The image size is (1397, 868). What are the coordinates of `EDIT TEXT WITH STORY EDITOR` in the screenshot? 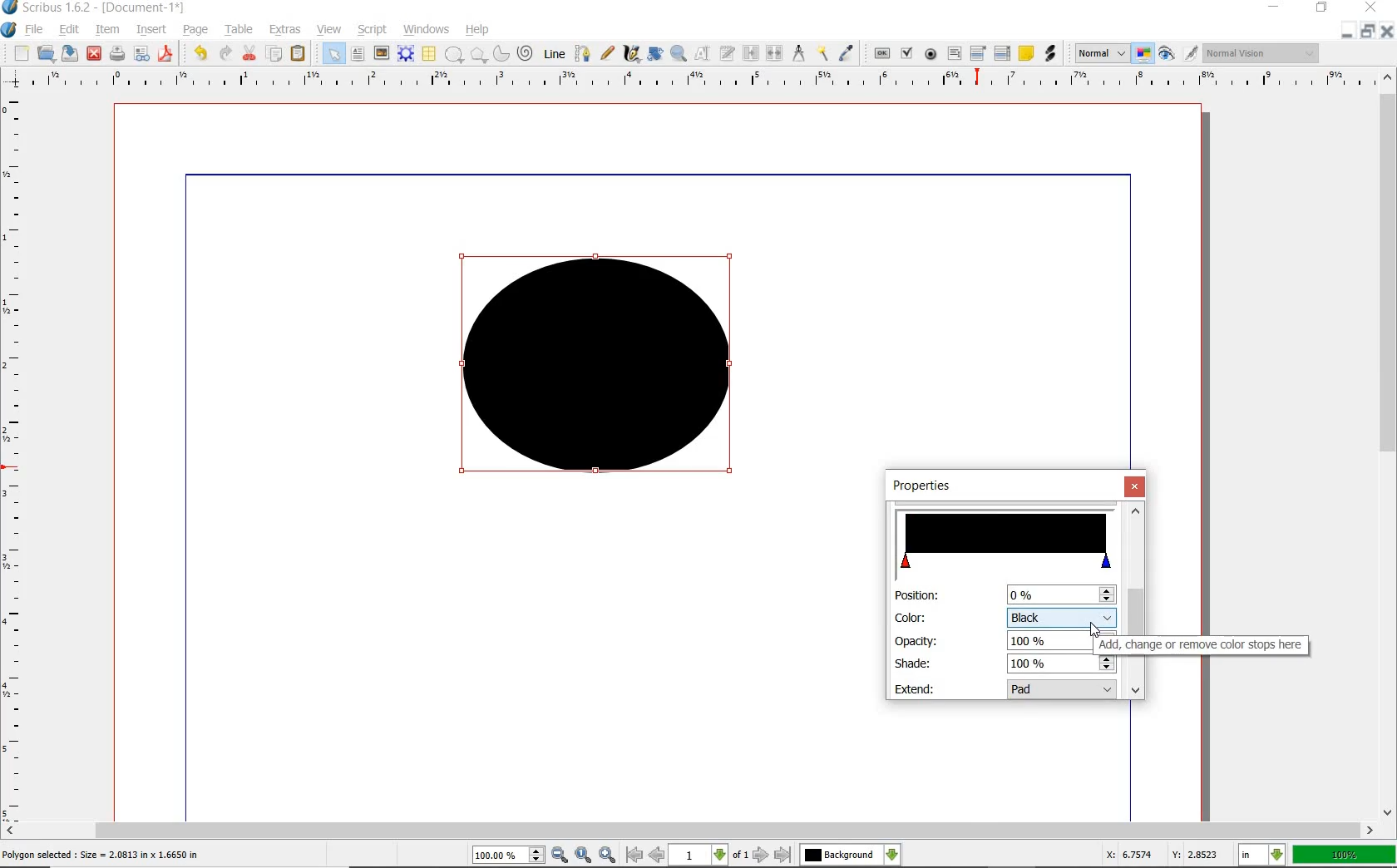 It's located at (728, 53).